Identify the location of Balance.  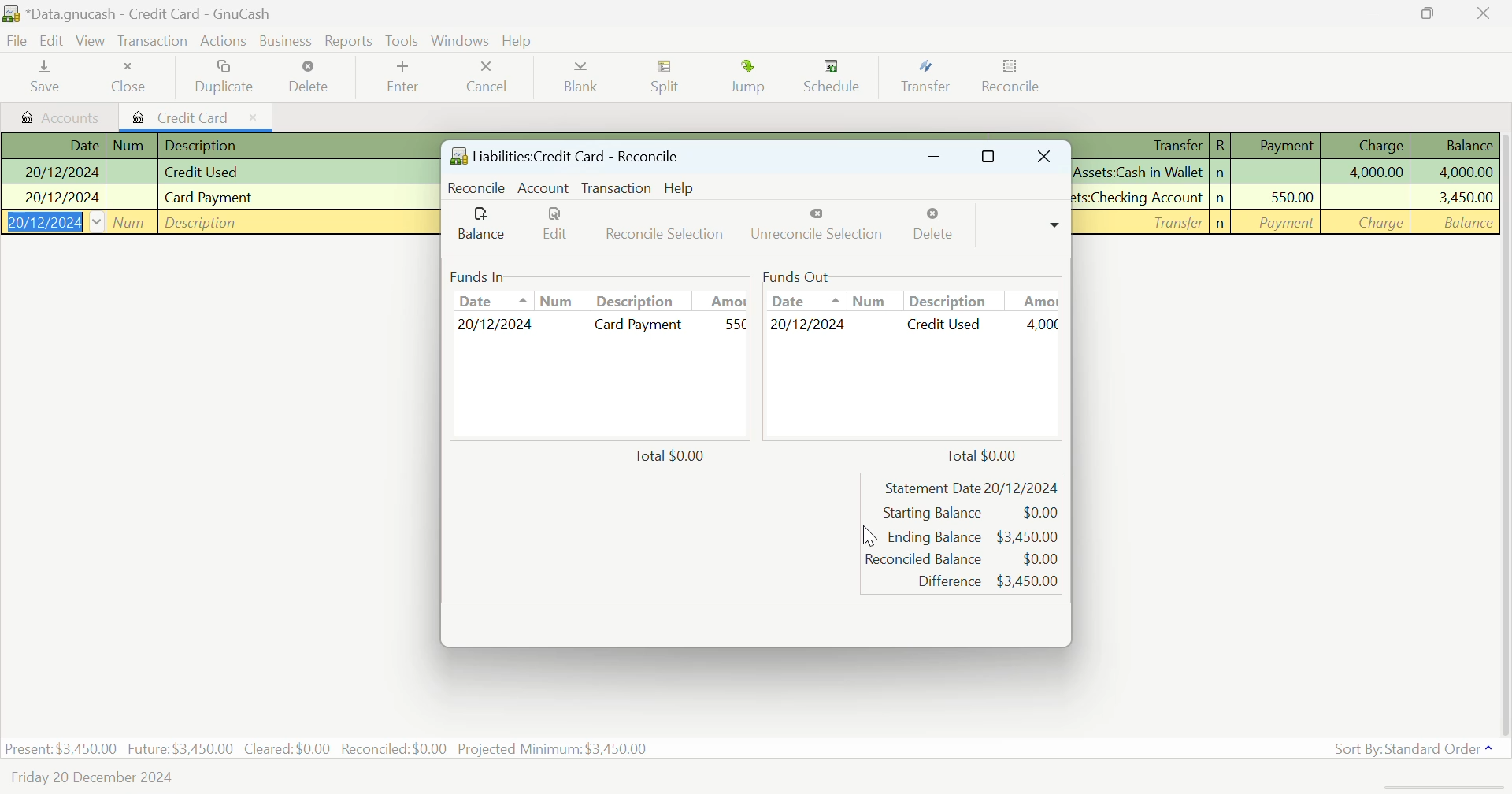
(481, 225).